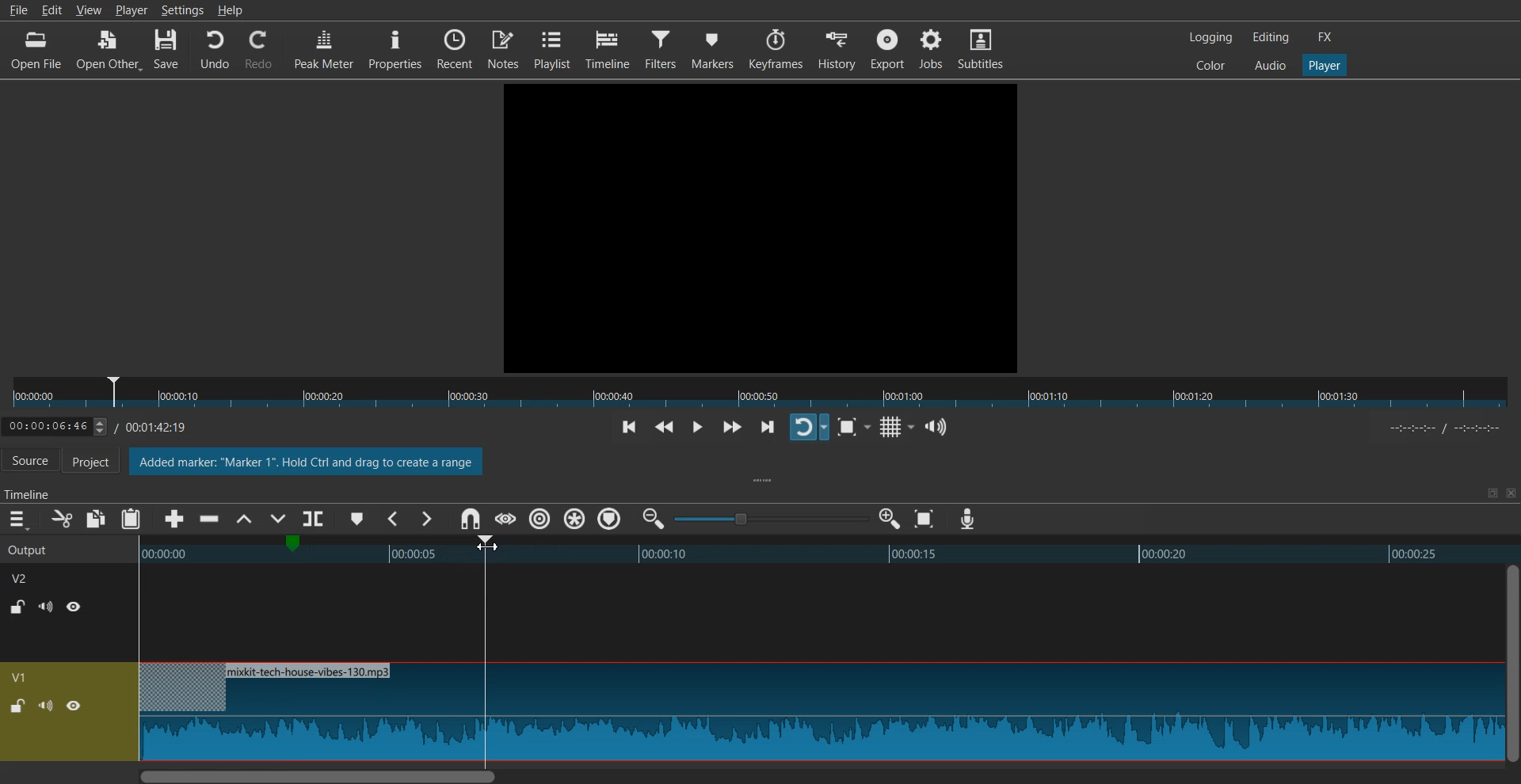 The image size is (1521, 784). What do you see at coordinates (608, 49) in the screenshot?
I see `Timeline` at bounding box center [608, 49].